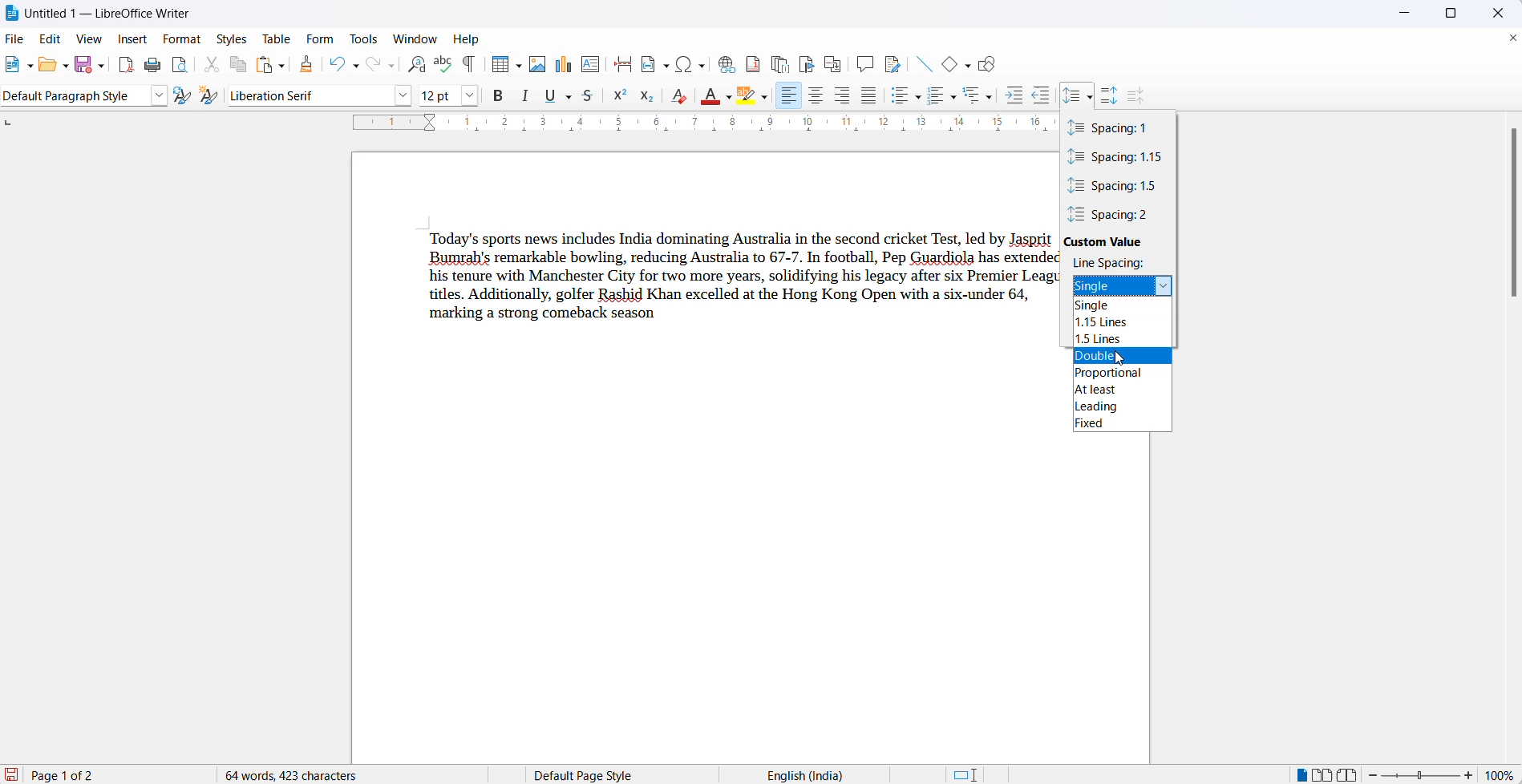 This screenshot has height=784, width=1522. Describe the element at coordinates (125, 65) in the screenshot. I see `export as pdf` at that location.